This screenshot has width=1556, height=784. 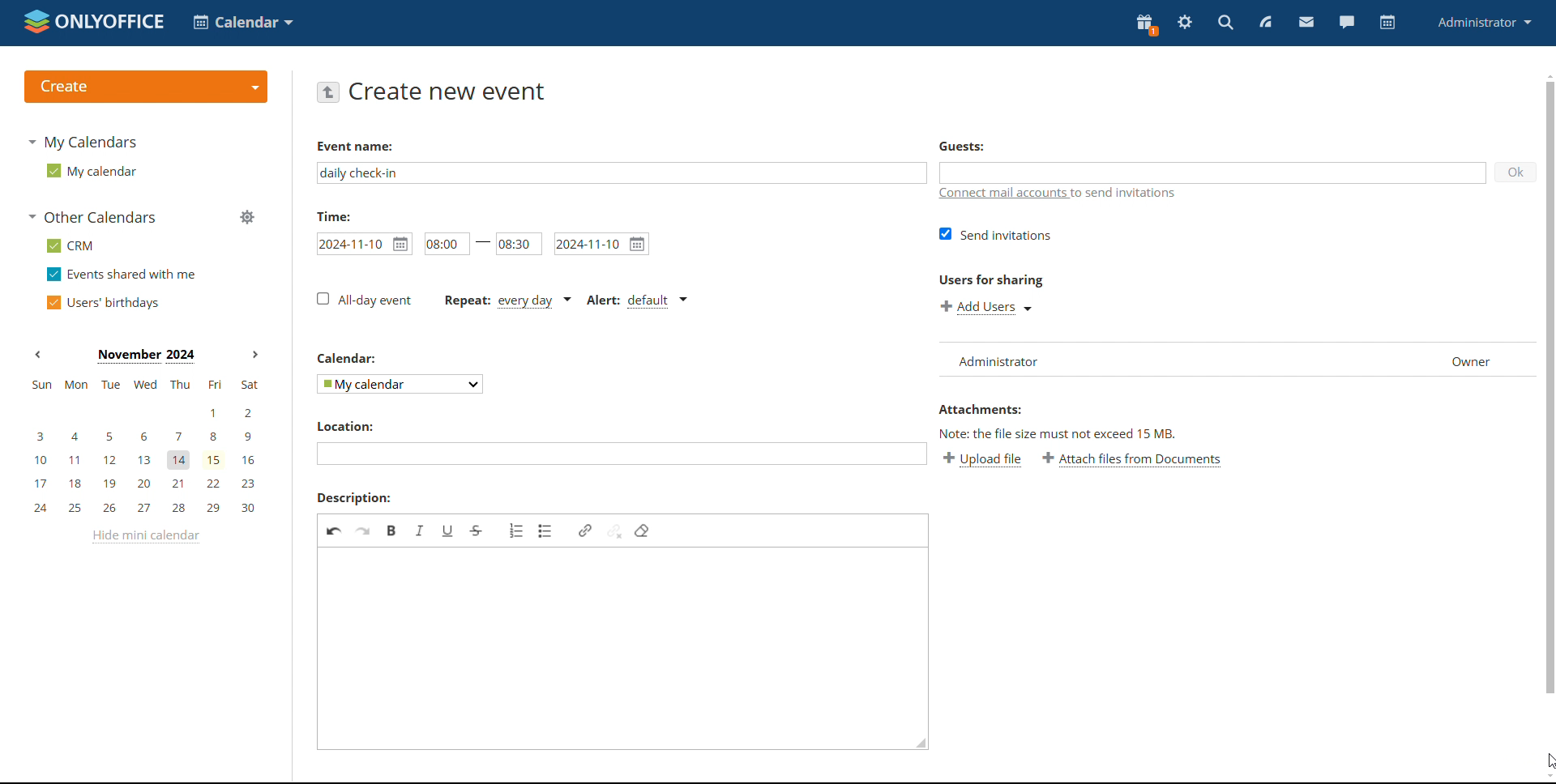 I want to click on my calendar, so click(x=89, y=171).